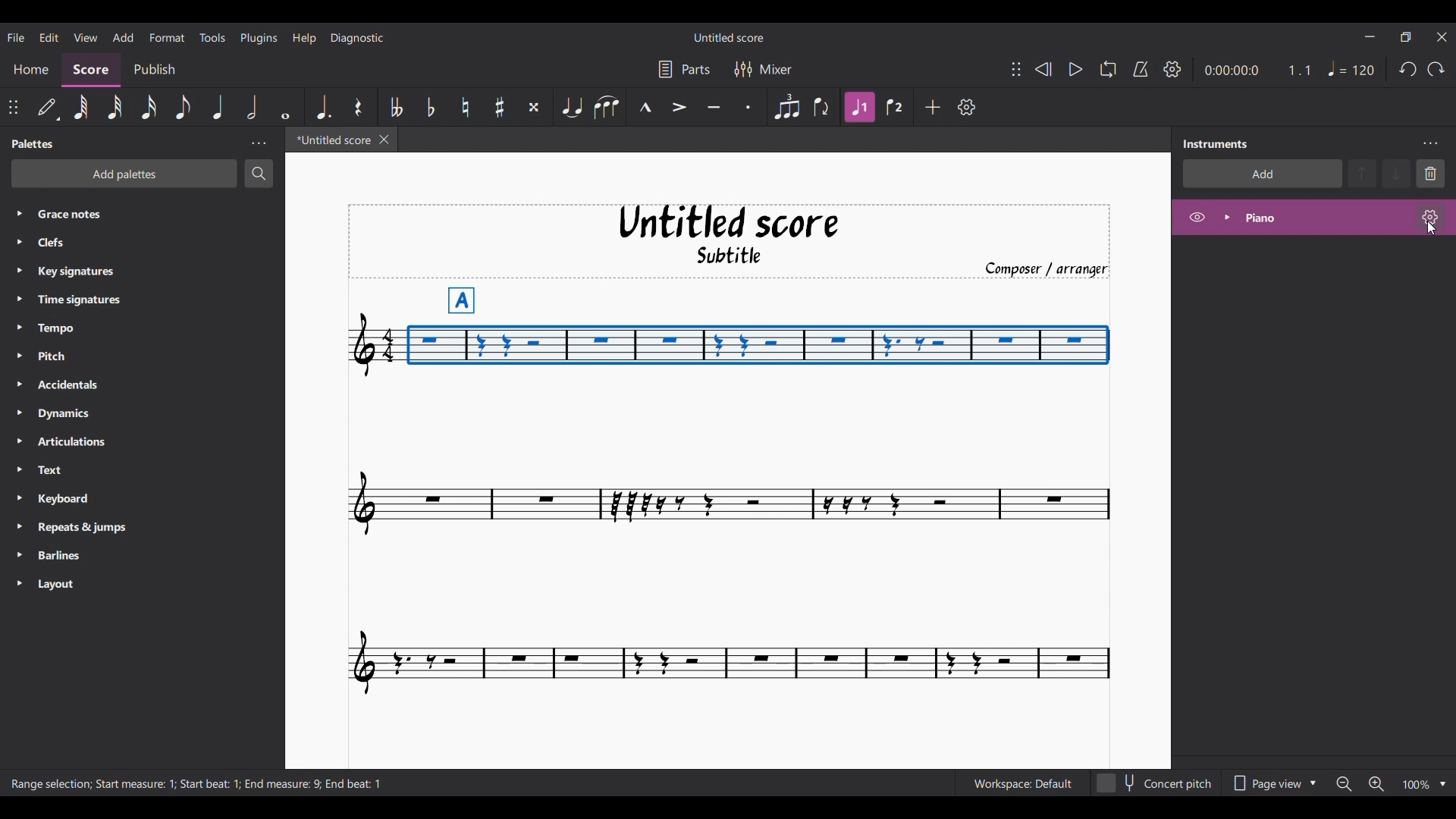  I want to click on Palette title, so click(34, 144).